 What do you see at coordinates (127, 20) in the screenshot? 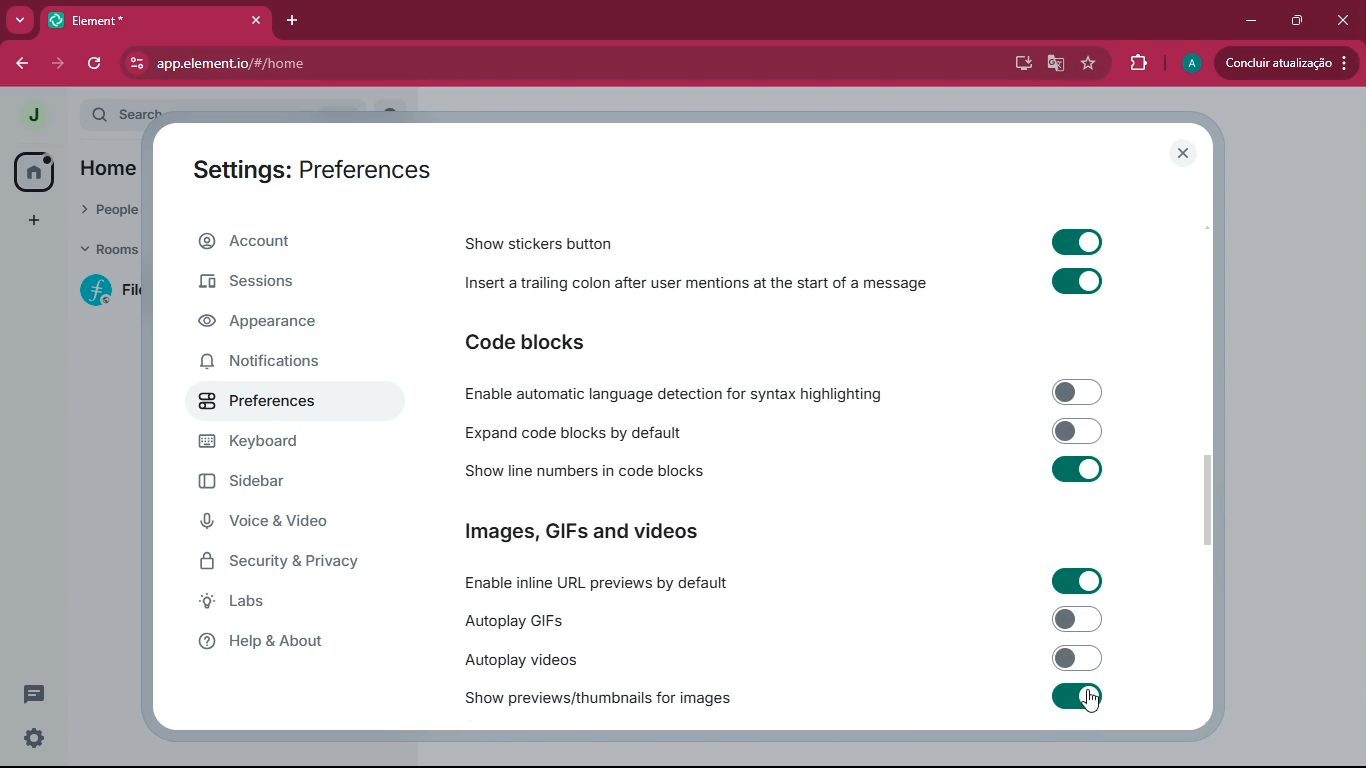
I see `Element*` at bounding box center [127, 20].